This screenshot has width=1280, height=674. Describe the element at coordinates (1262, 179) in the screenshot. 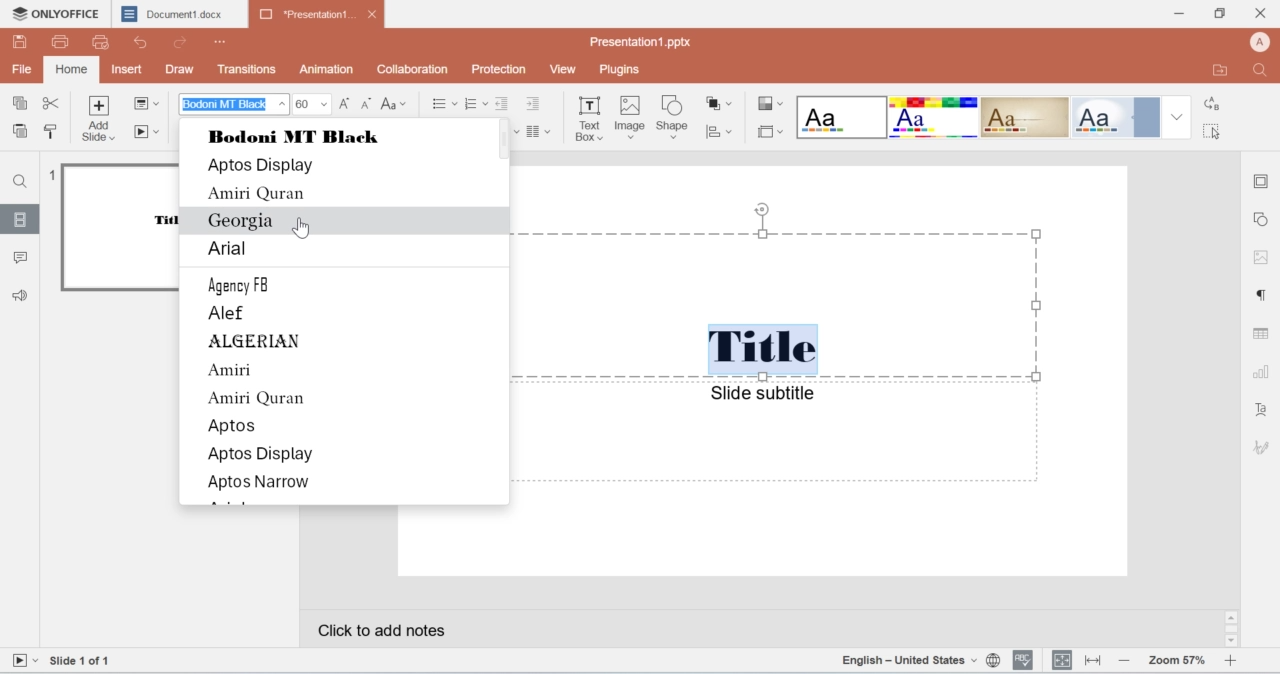

I see `border` at that location.